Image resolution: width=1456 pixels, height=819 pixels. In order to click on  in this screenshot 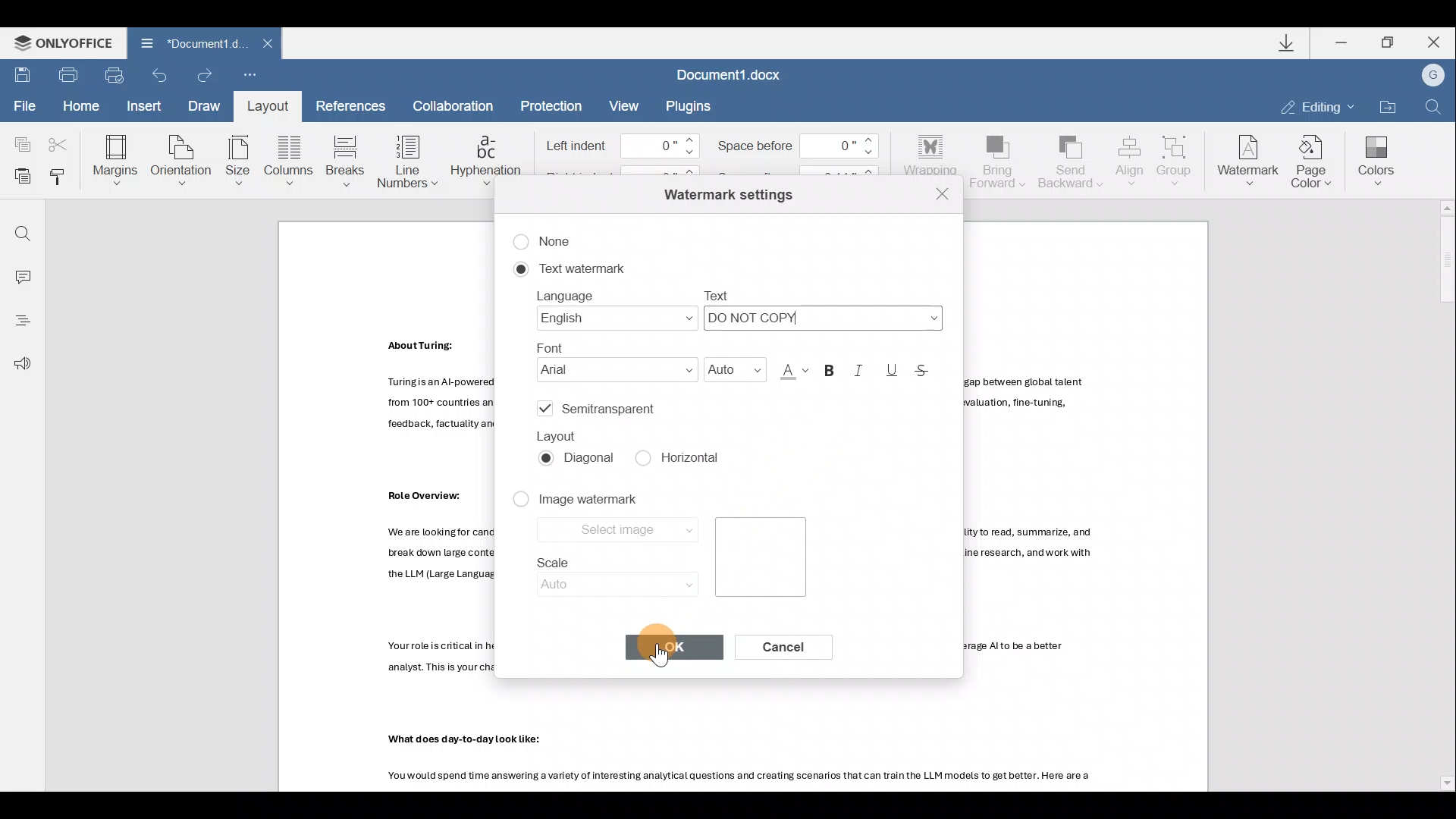, I will do `click(740, 775)`.